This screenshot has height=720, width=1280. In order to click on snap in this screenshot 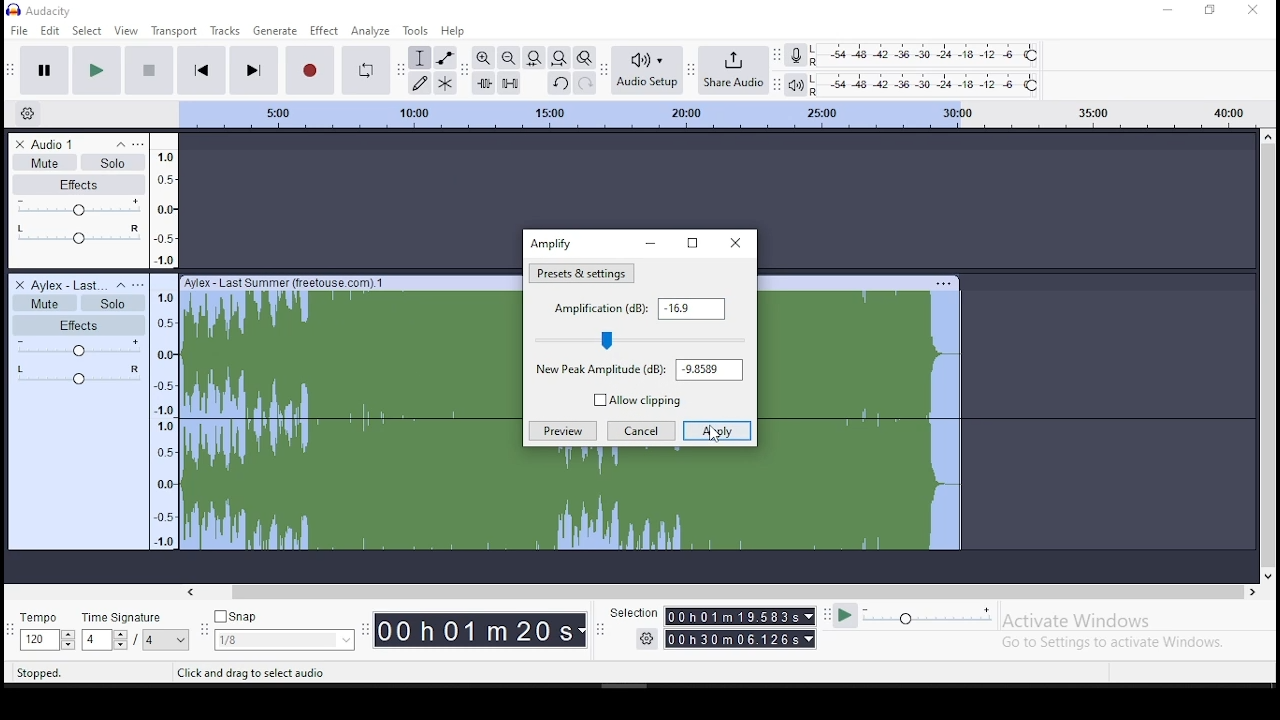, I will do `click(286, 629)`.